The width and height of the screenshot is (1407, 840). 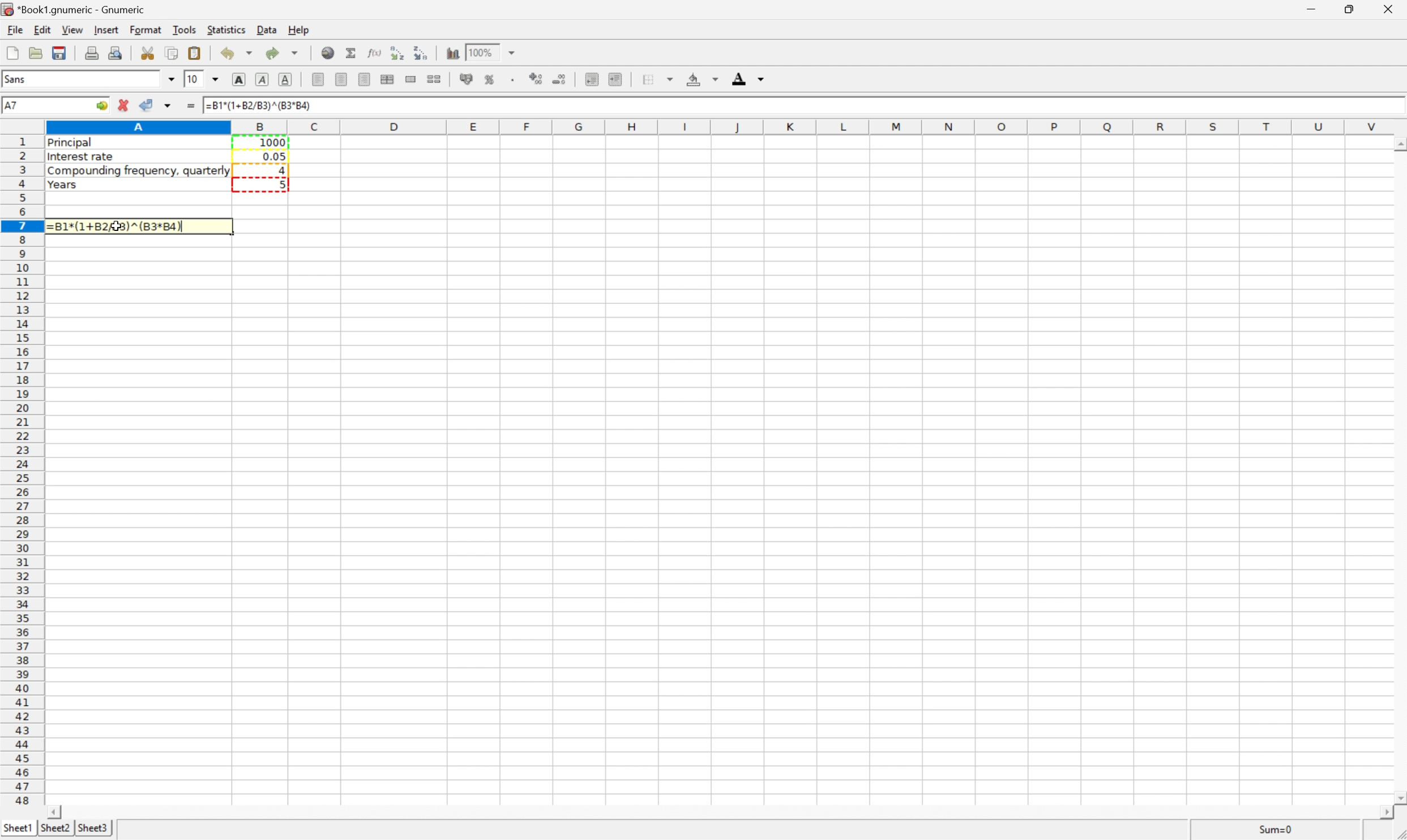 I want to click on decrease indent, so click(x=592, y=79).